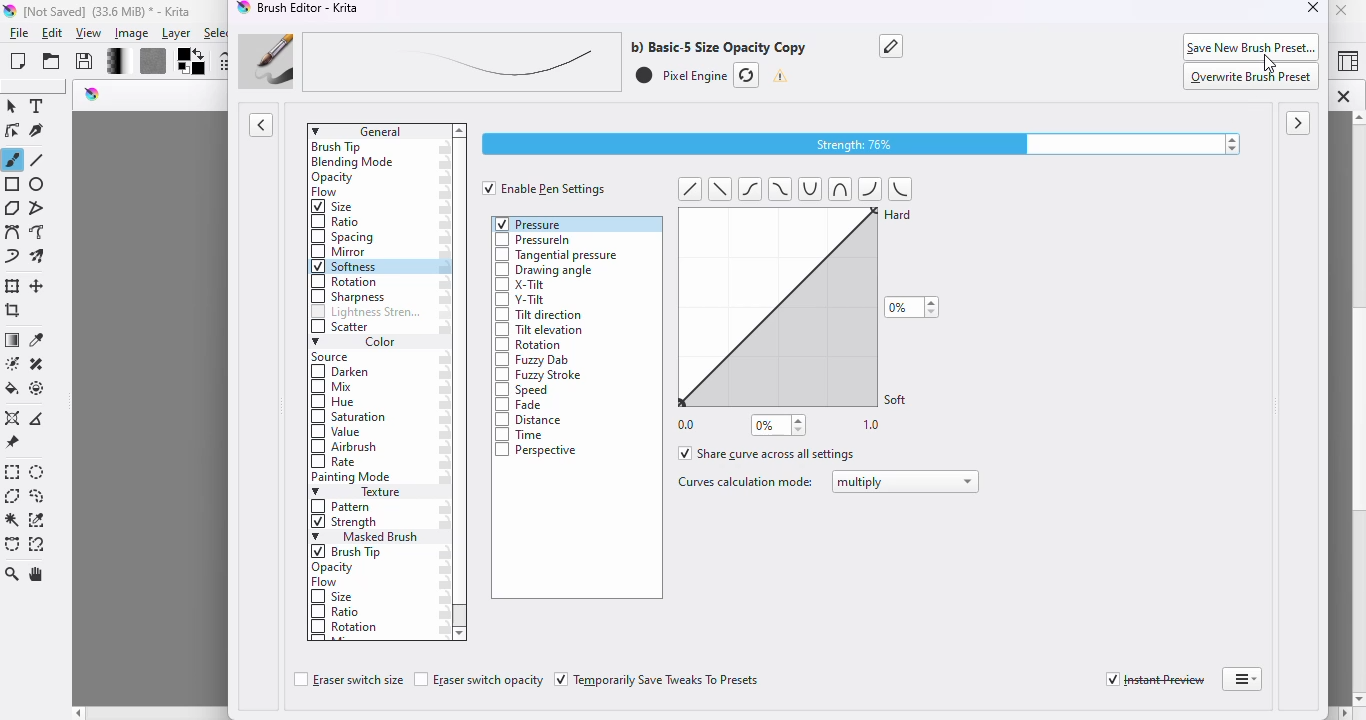 The width and height of the screenshot is (1366, 720). What do you see at coordinates (149, 62) in the screenshot?
I see `fill patterns` at bounding box center [149, 62].